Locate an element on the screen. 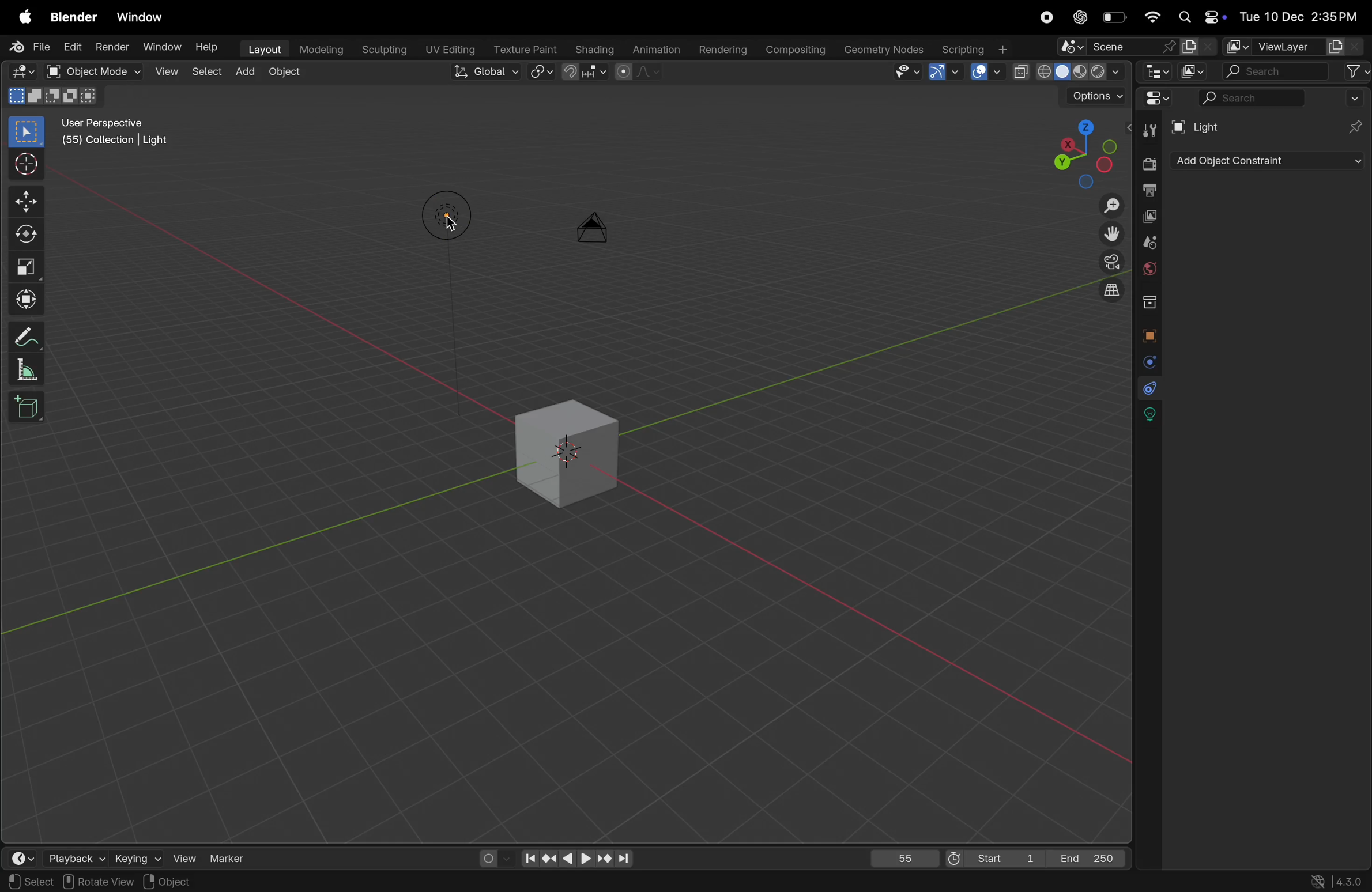 This screenshot has height=892, width=1372. 3d cube is located at coordinates (570, 447).